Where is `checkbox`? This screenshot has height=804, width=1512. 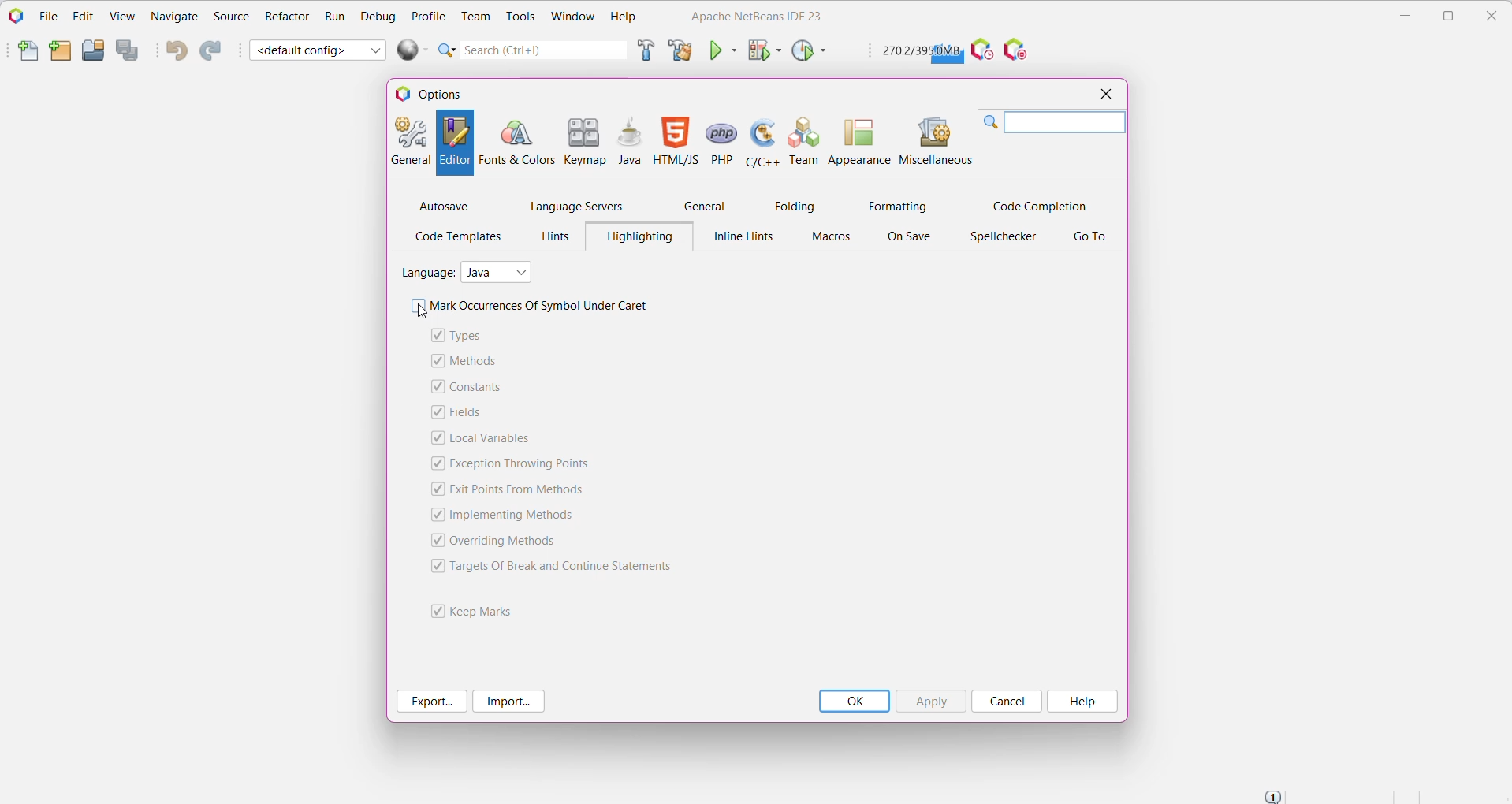
checkbox is located at coordinates (434, 609).